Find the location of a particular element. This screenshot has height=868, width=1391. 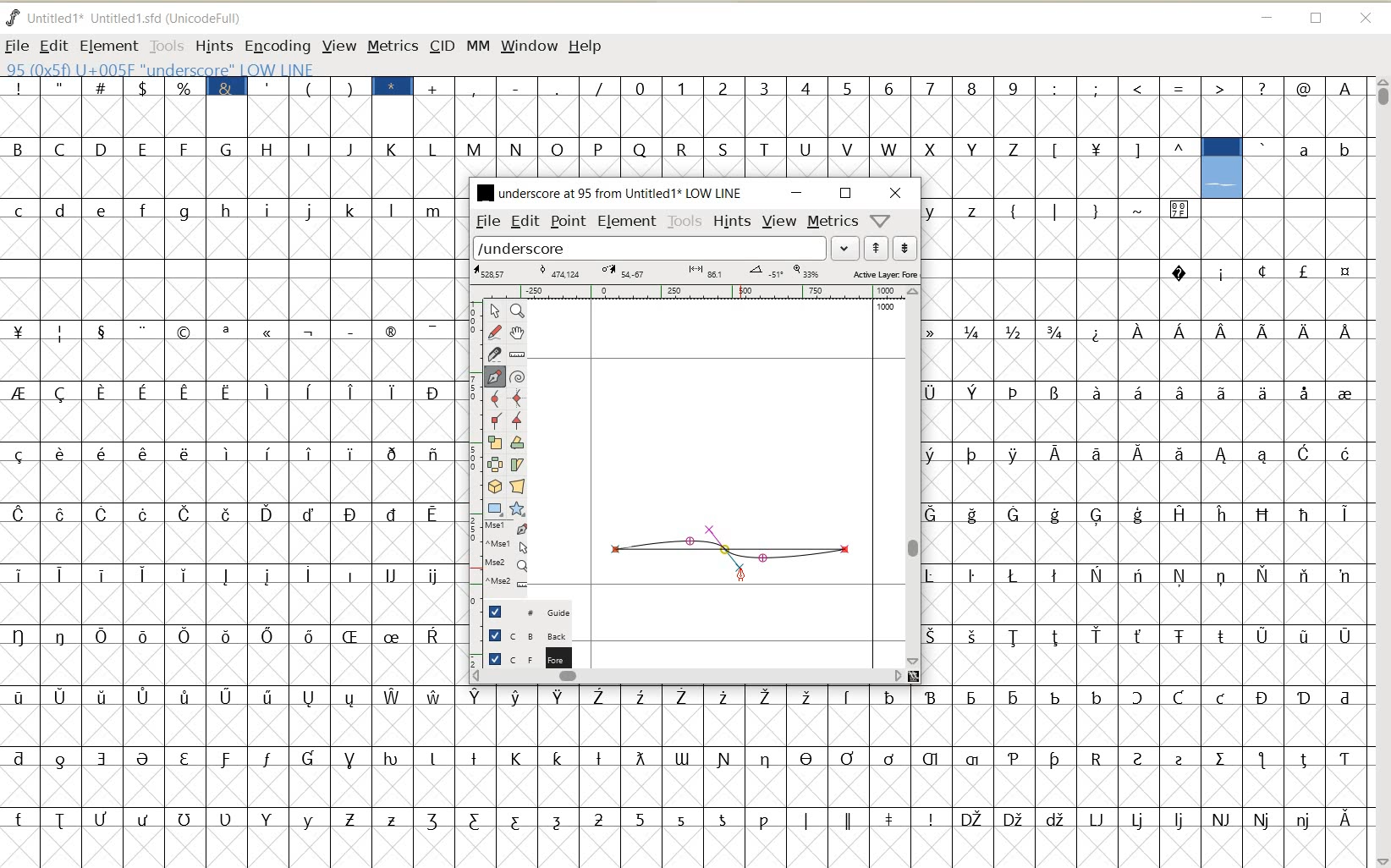

CURSOR POSITION is located at coordinates (745, 576).